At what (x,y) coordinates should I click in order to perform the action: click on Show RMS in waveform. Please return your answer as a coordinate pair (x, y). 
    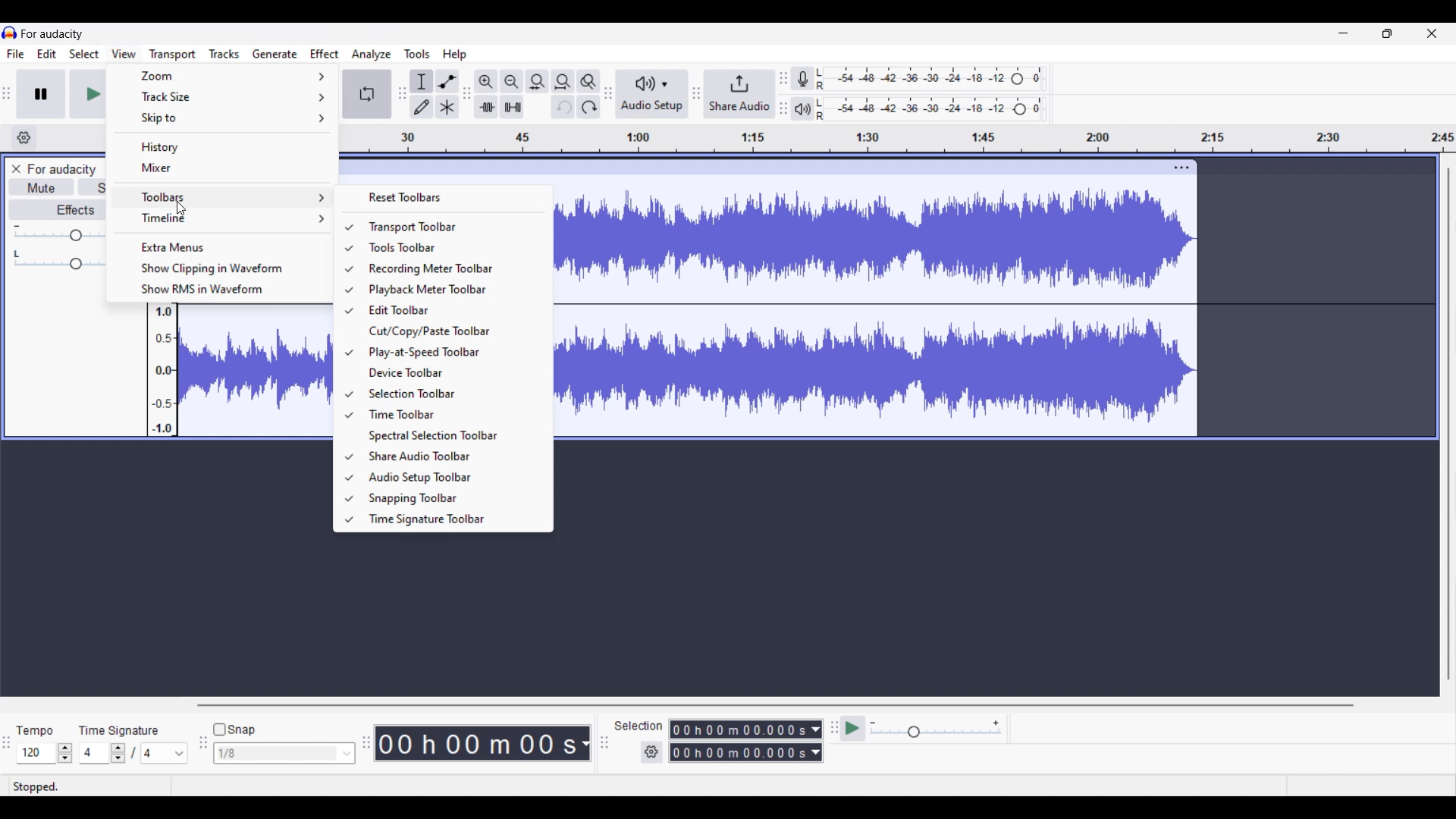
    Looking at the image, I should click on (219, 290).